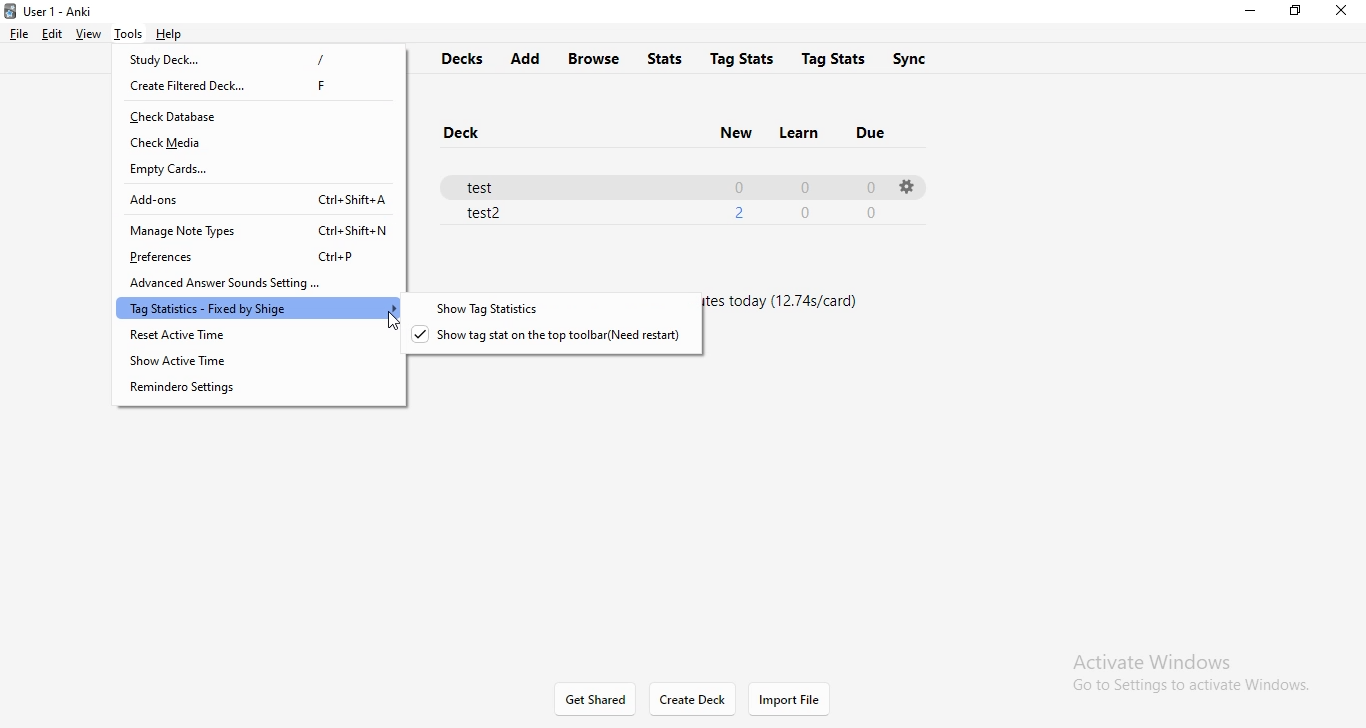  What do you see at coordinates (1256, 13) in the screenshot?
I see `minimise` at bounding box center [1256, 13].